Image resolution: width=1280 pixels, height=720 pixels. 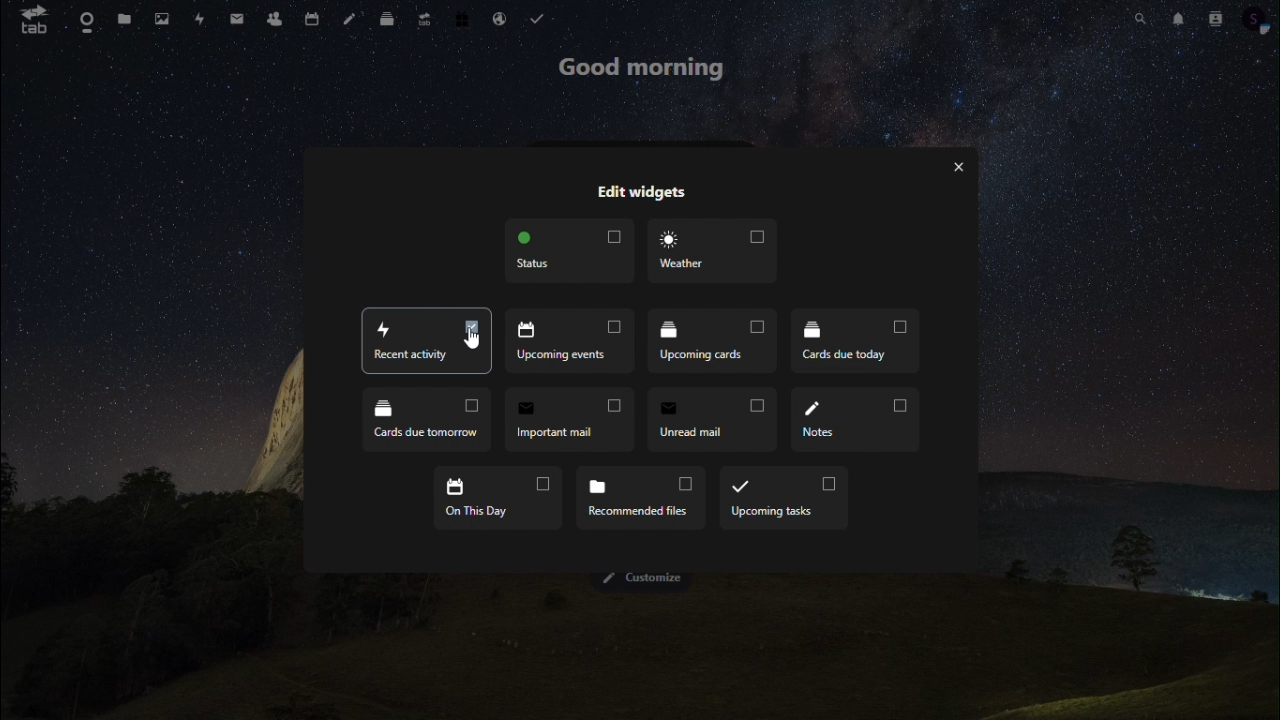 I want to click on activity, so click(x=198, y=20).